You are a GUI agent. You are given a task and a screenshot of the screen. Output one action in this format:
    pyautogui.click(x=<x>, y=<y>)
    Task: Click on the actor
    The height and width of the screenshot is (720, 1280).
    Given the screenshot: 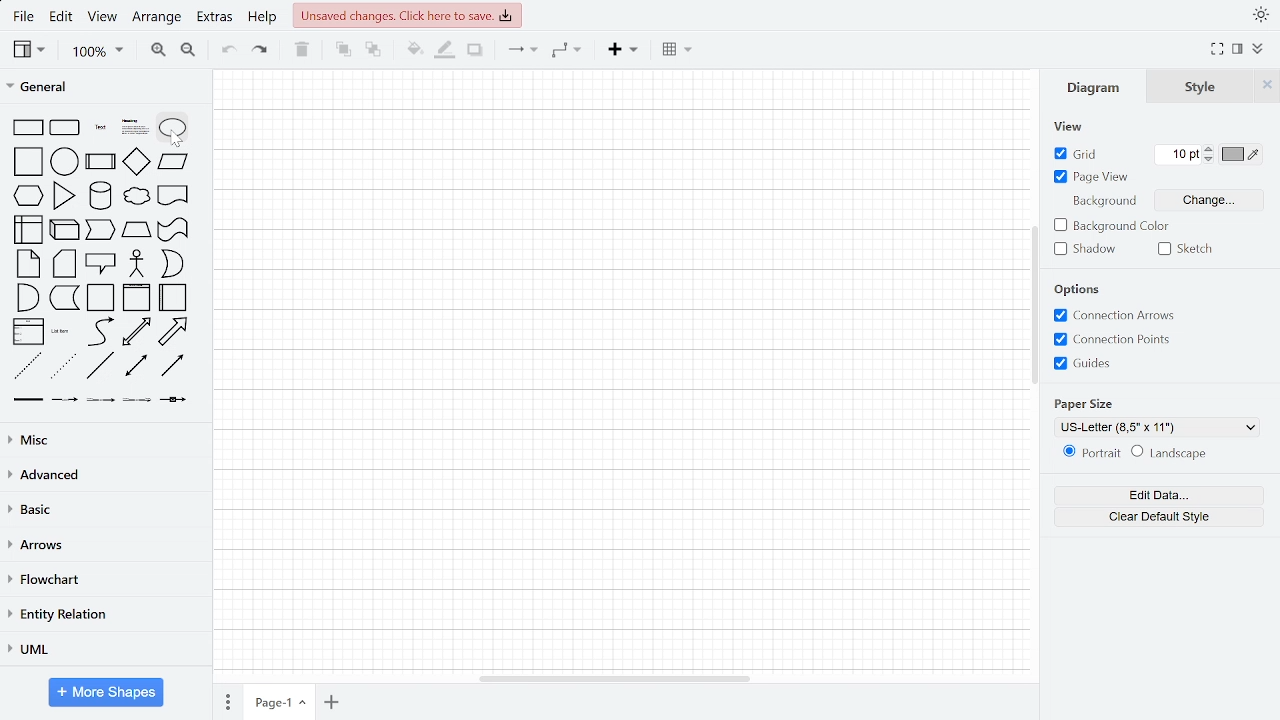 What is the action you would take?
    pyautogui.click(x=136, y=263)
    